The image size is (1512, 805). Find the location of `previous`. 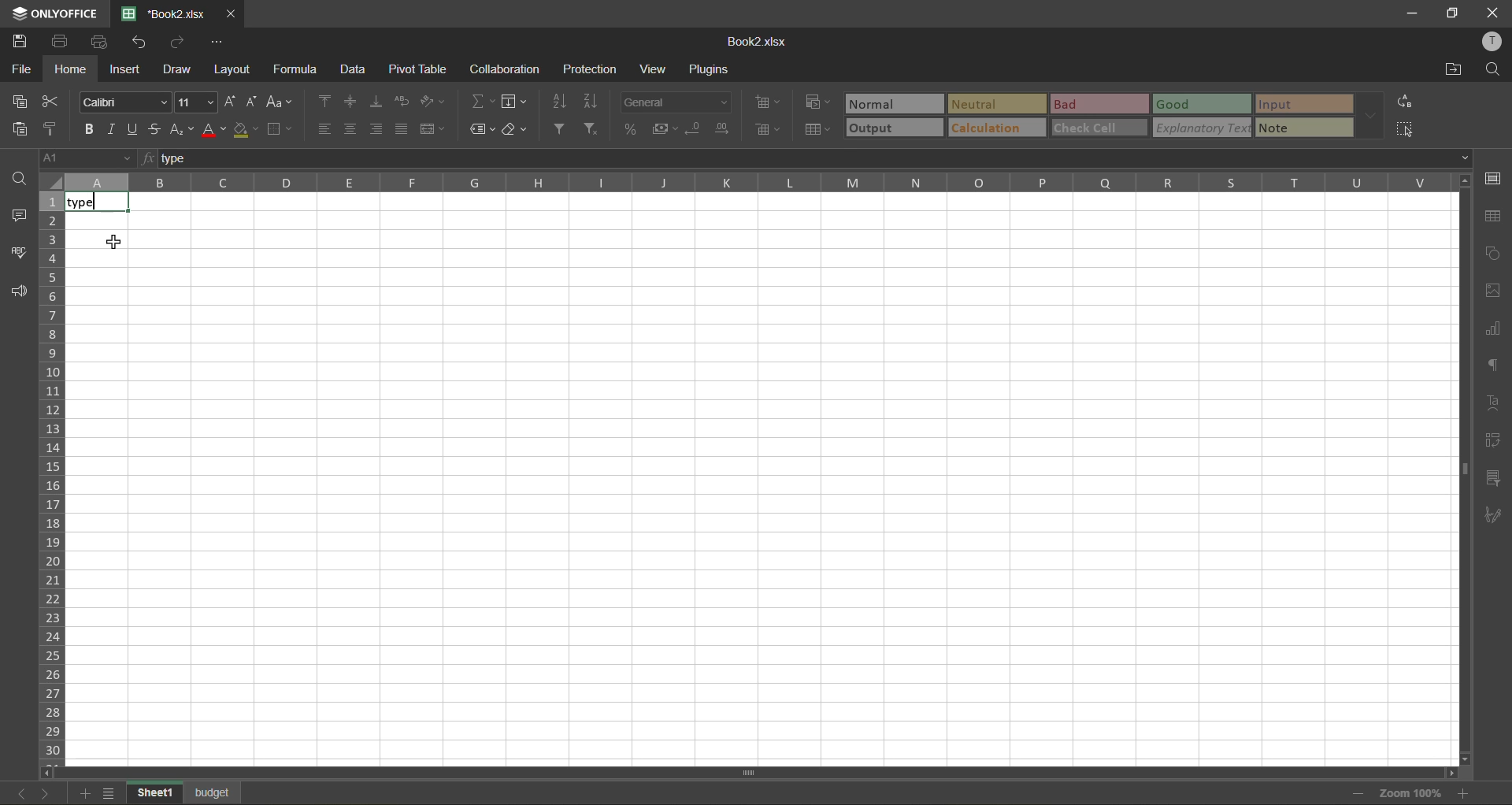

previous is located at coordinates (13, 792).